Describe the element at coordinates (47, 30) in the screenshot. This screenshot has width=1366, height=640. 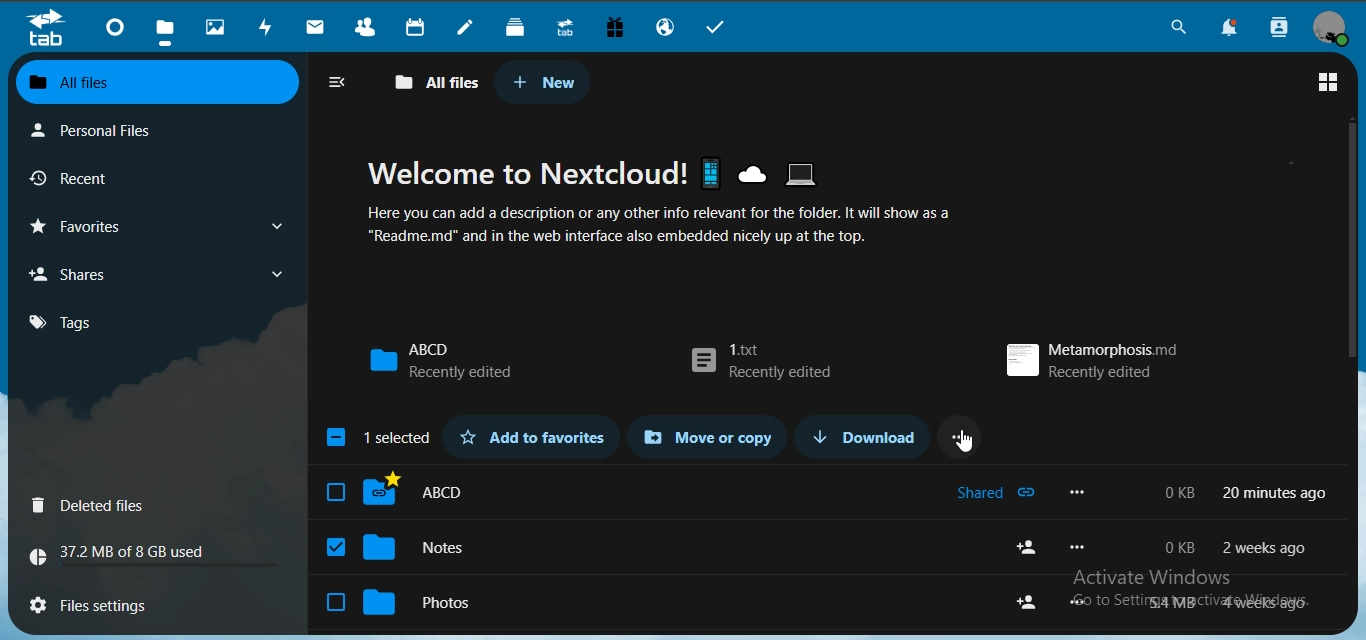
I see `tab` at that location.